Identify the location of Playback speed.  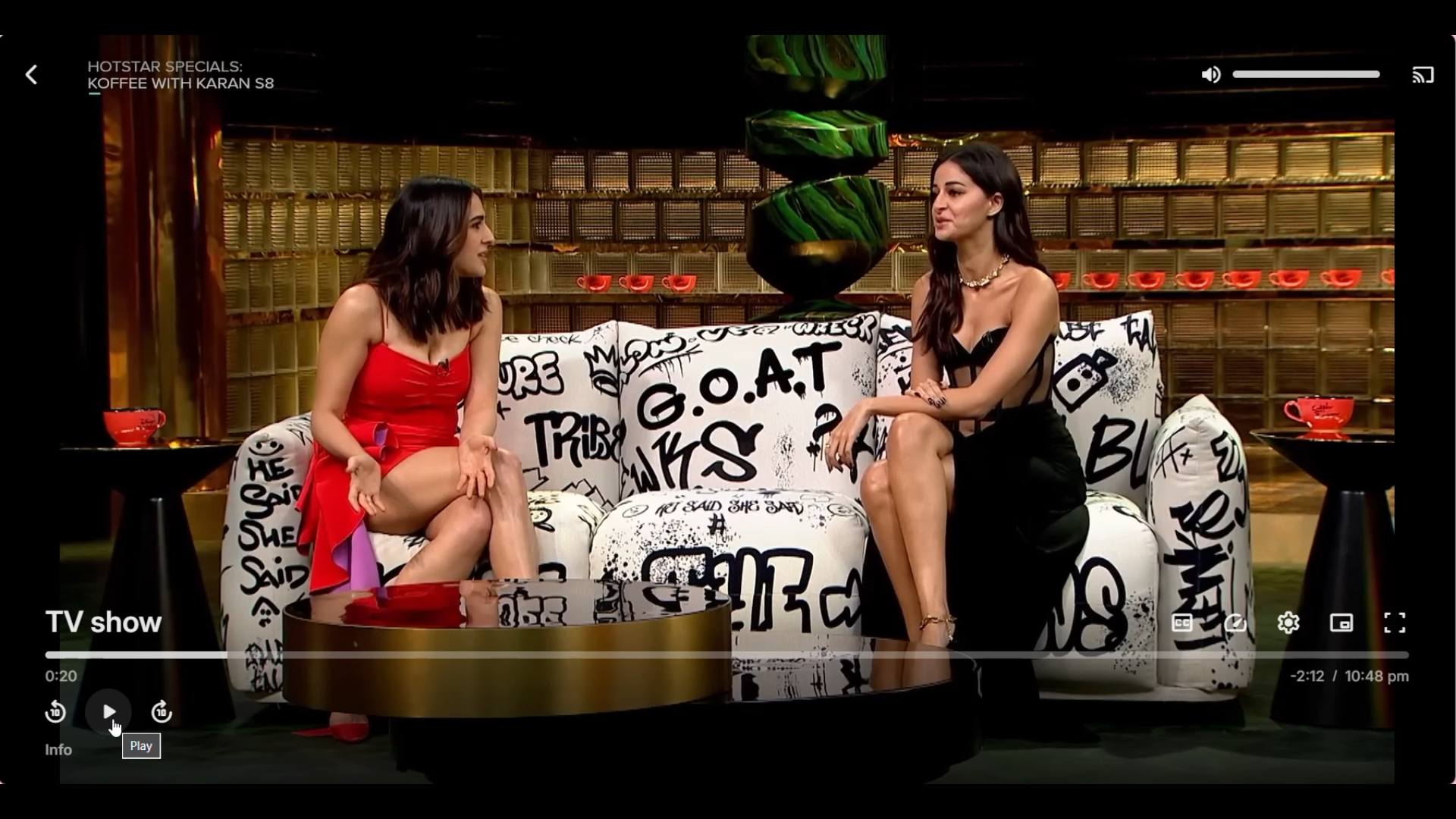
(1235, 624).